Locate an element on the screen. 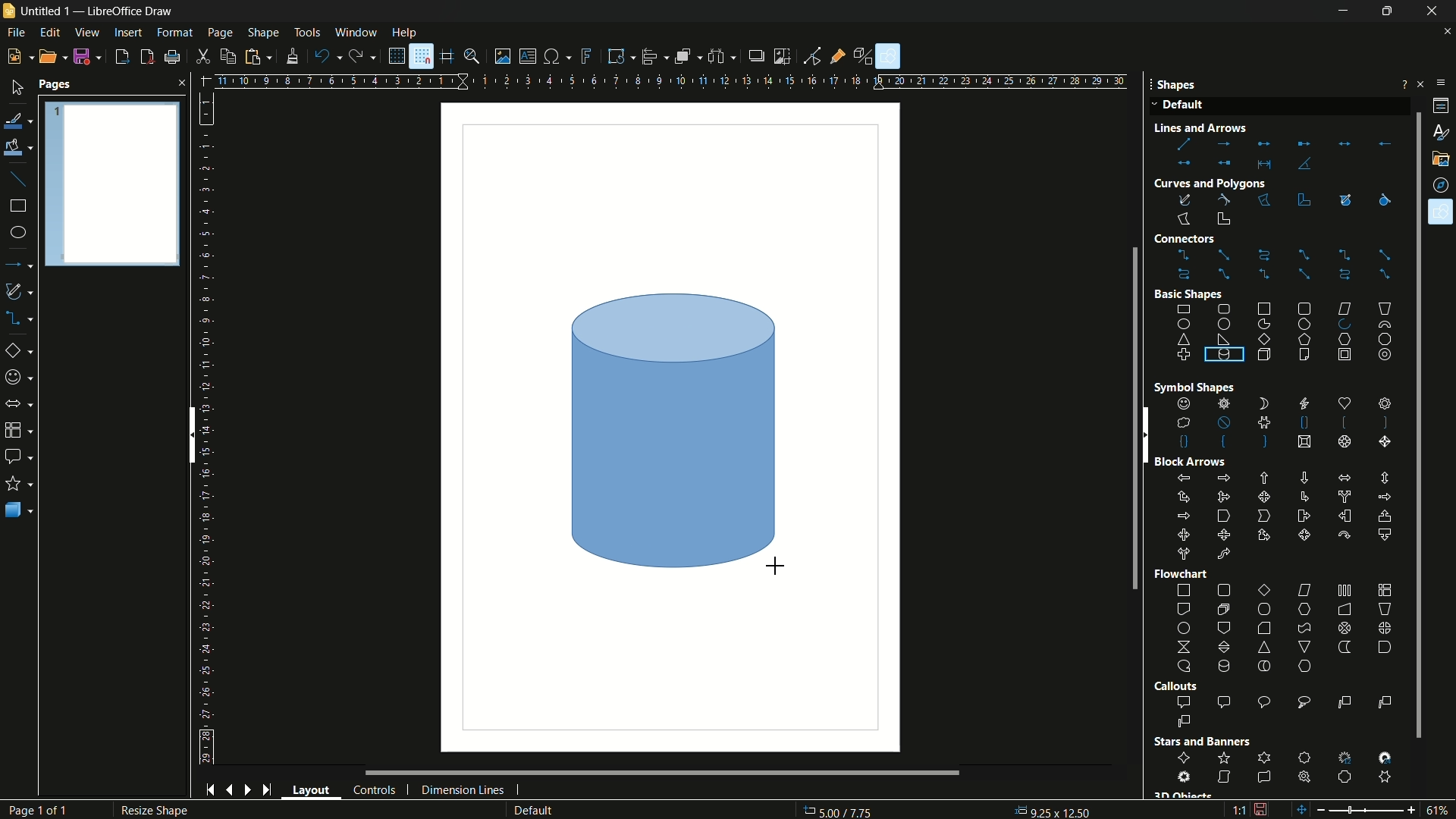 The width and height of the screenshot is (1456, 819). insert image is located at coordinates (503, 56).